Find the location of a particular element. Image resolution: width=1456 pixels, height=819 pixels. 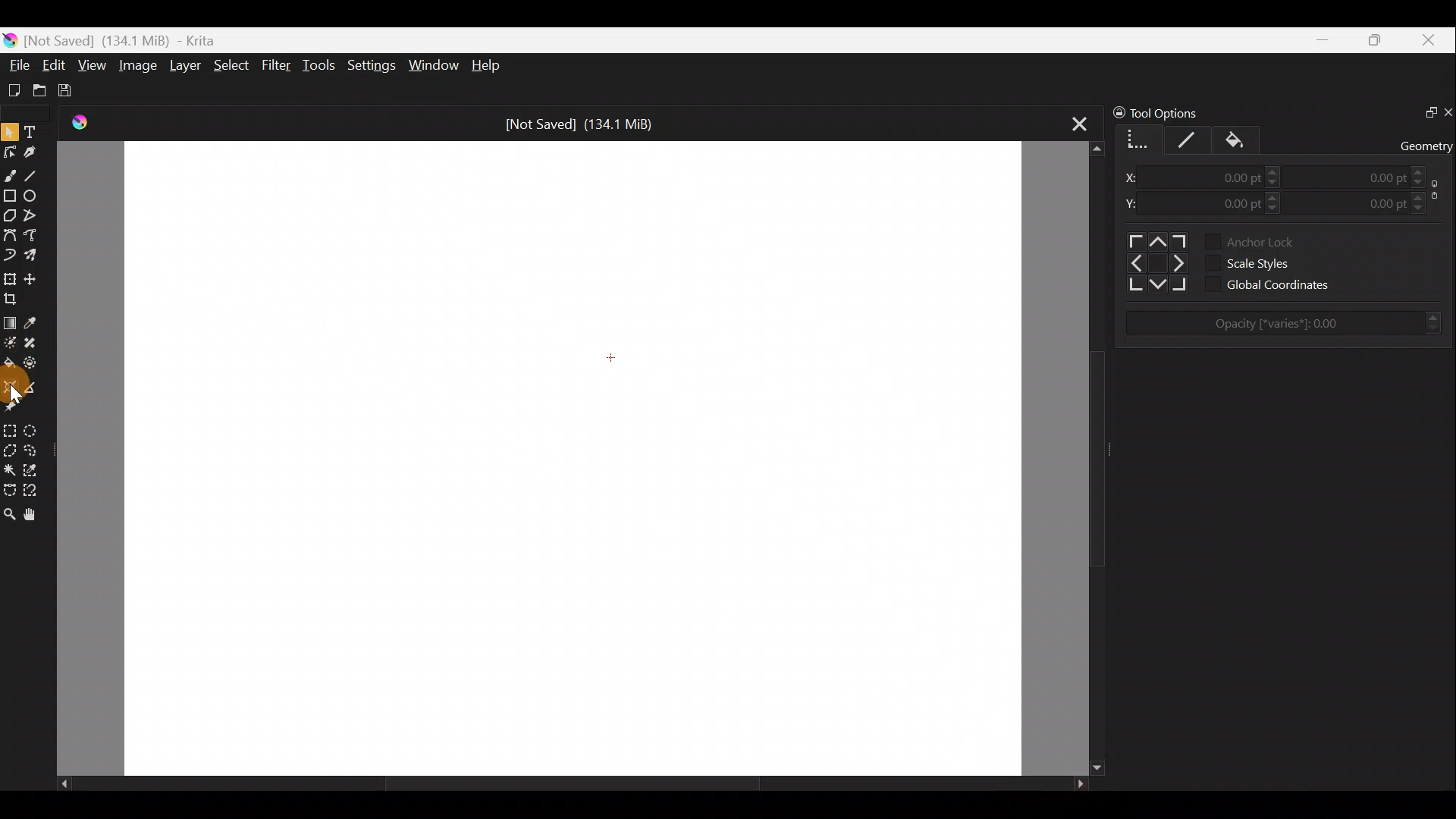

Freehand brush tool is located at coordinates (11, 174).